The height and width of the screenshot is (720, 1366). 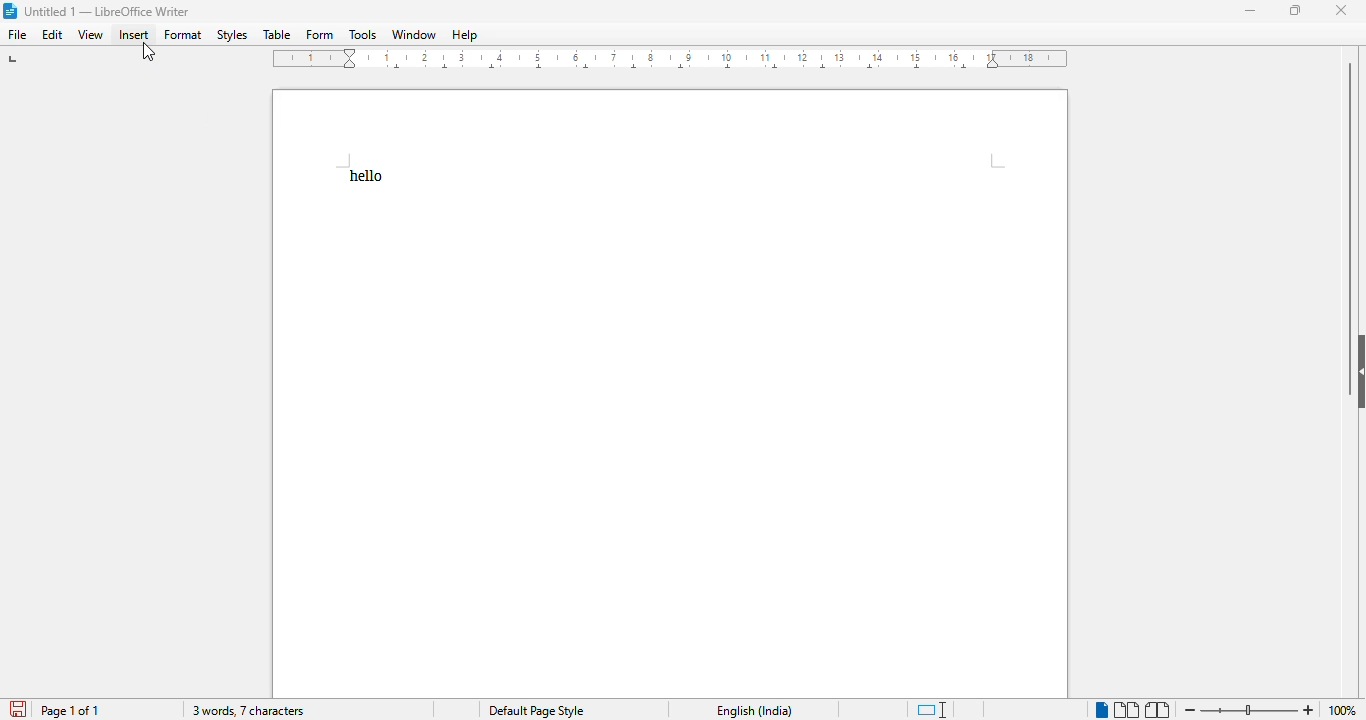 I want to click on edit, so click(x=53, y=34).